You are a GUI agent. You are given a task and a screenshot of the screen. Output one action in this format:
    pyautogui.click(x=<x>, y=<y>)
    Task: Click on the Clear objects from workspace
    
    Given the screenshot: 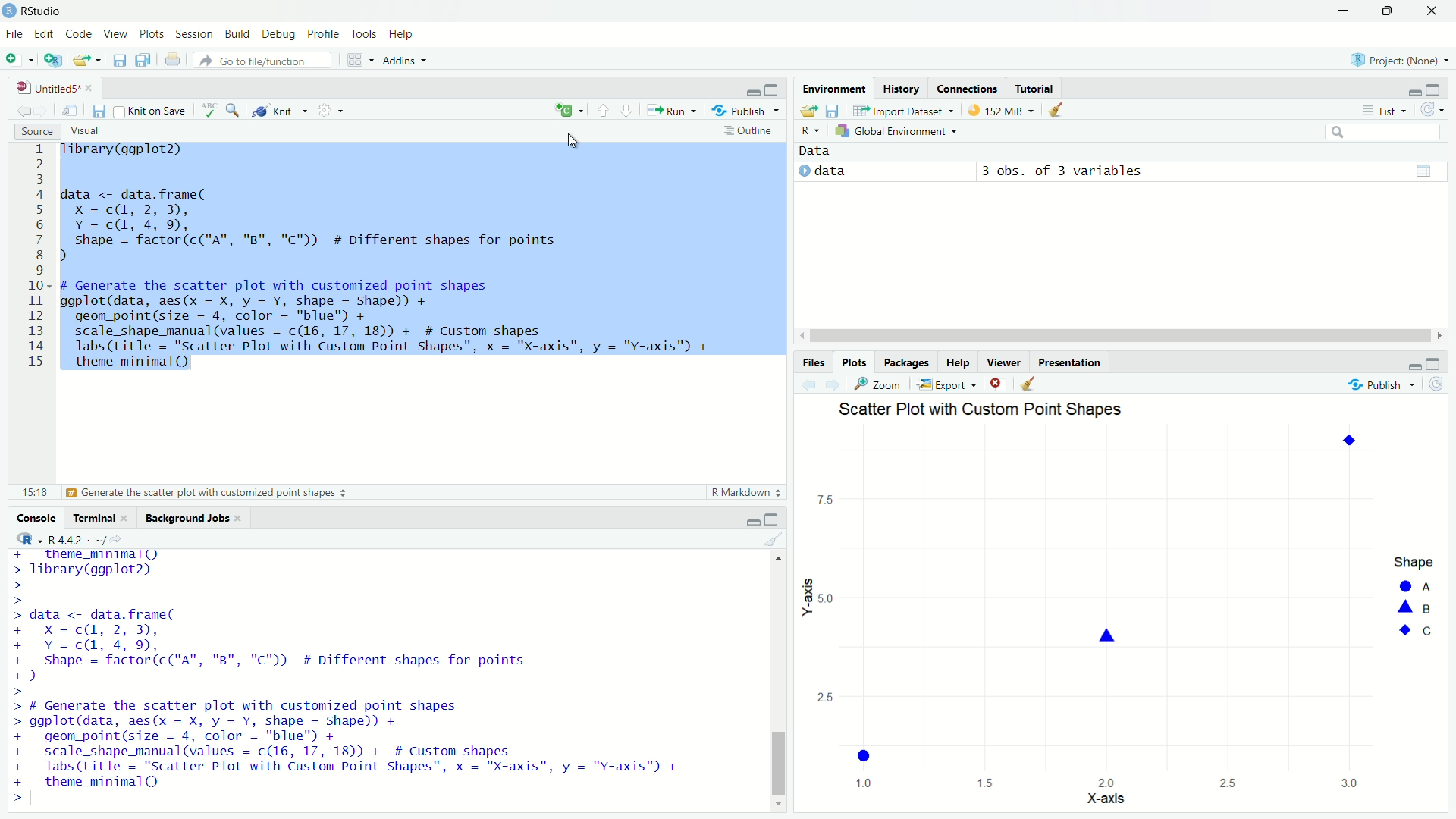 What is the action you would take?
    pyautogui.click(x=1056, y=109)
    